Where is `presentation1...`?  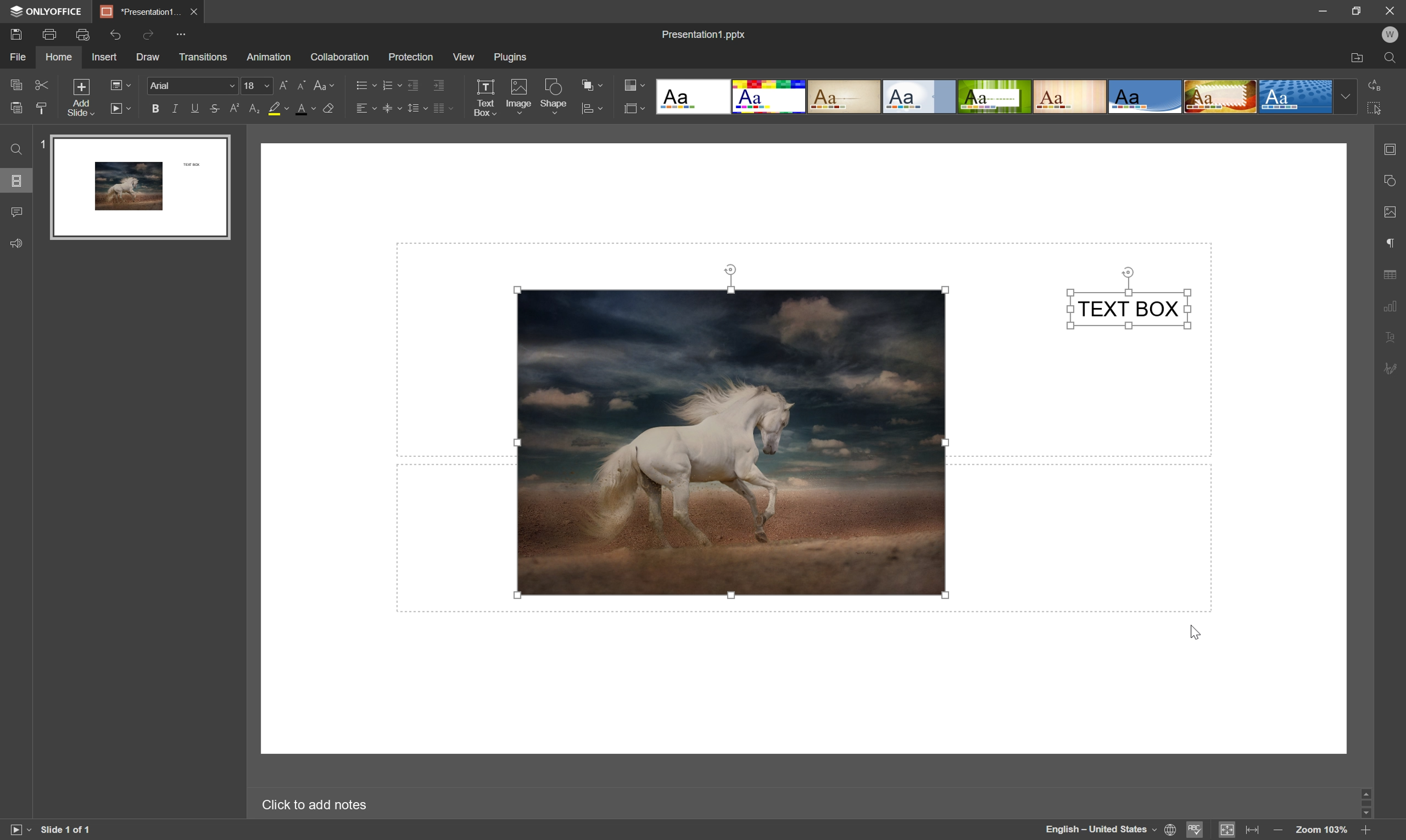 presentation1... is located at coordinates (139, 10).